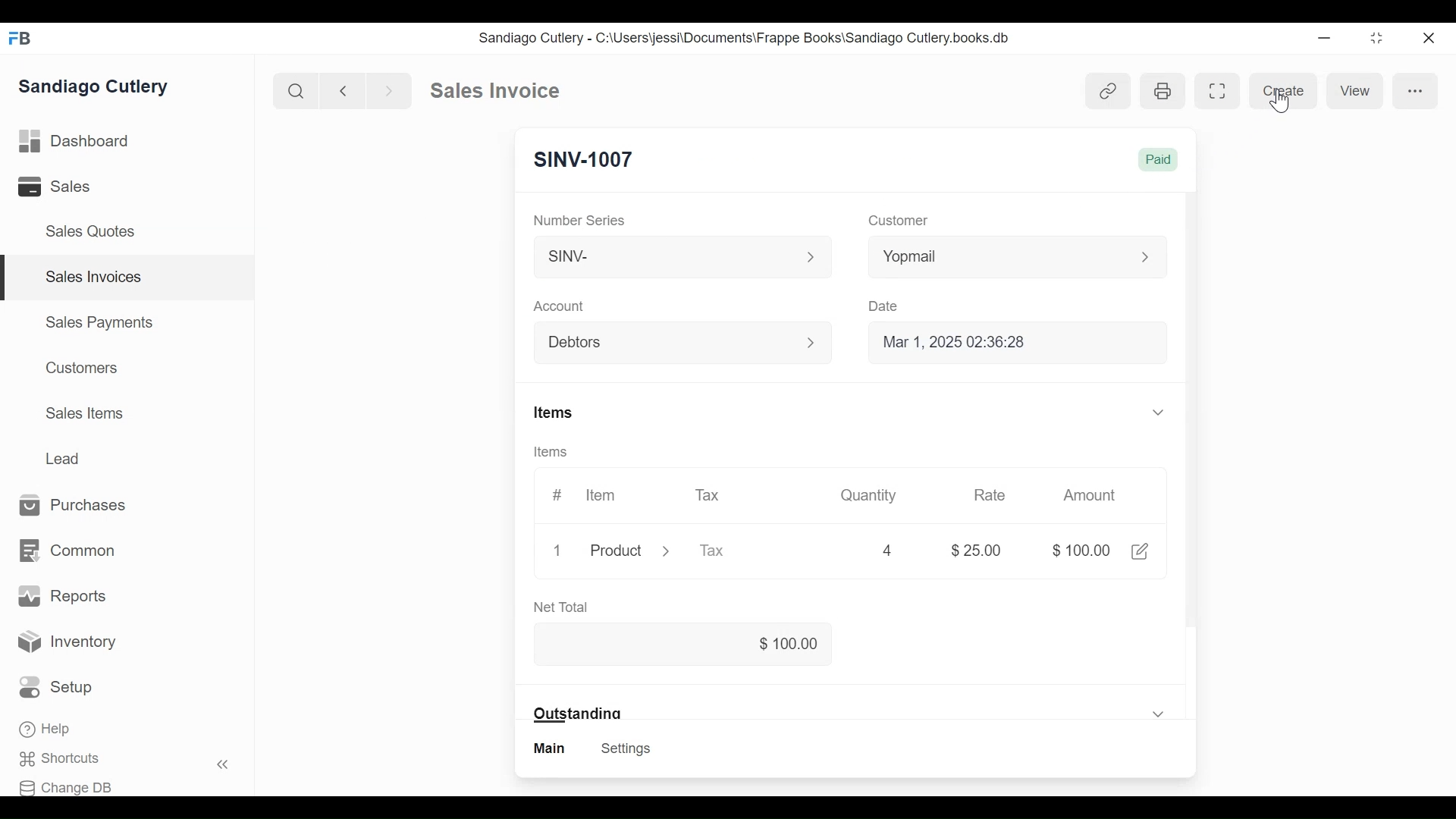 The image size is (1456, 819). Describe the element at coordinates (551, 451) in the screenshot. I see `Items` at that location.